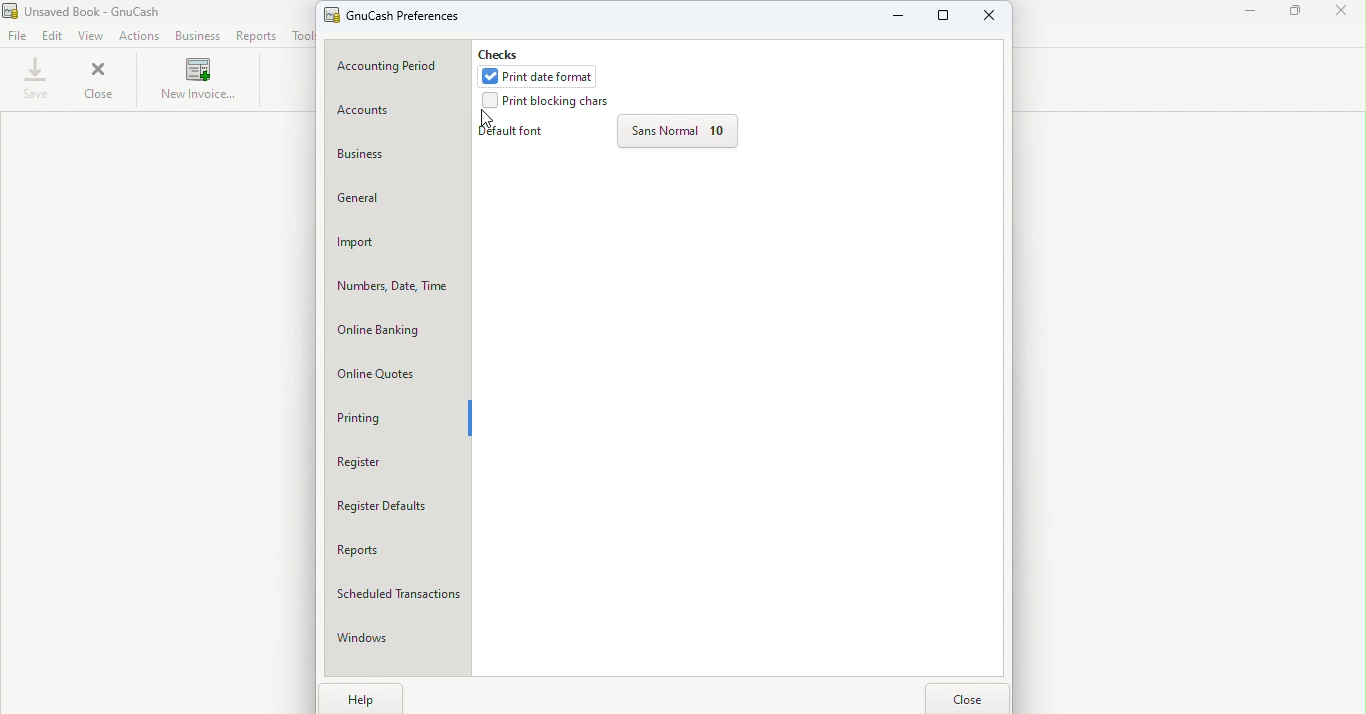 This screenshot has width=1366, height=714. What do you see at coordinates (301, 35) in the screenshot?
I see `Tools` at bounding box center [301, 35].